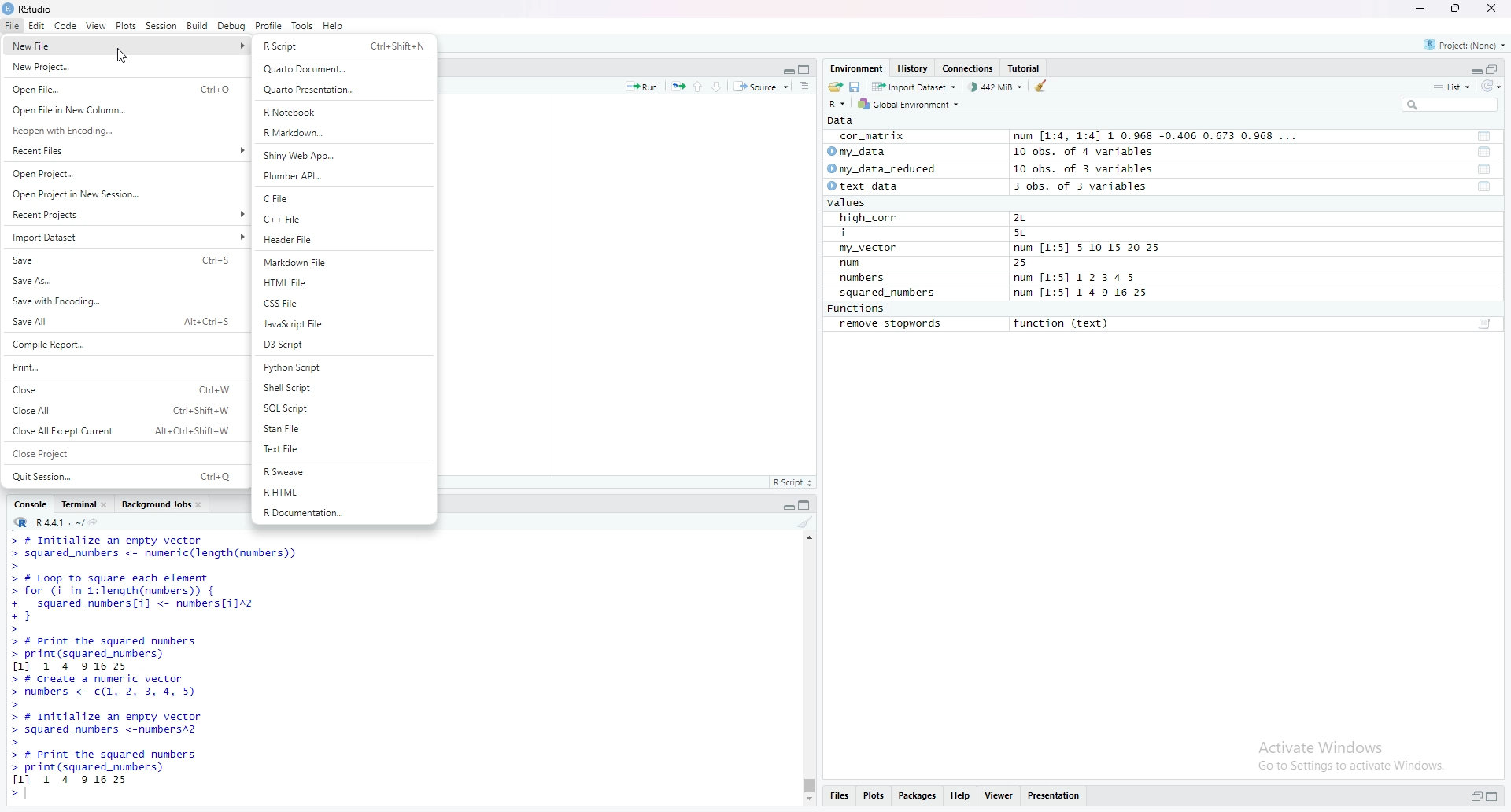 The image size is (1511, 812). Describe the element at coordinates (891, 169) in the screenshot. I see `my_data_reduced` at that location.